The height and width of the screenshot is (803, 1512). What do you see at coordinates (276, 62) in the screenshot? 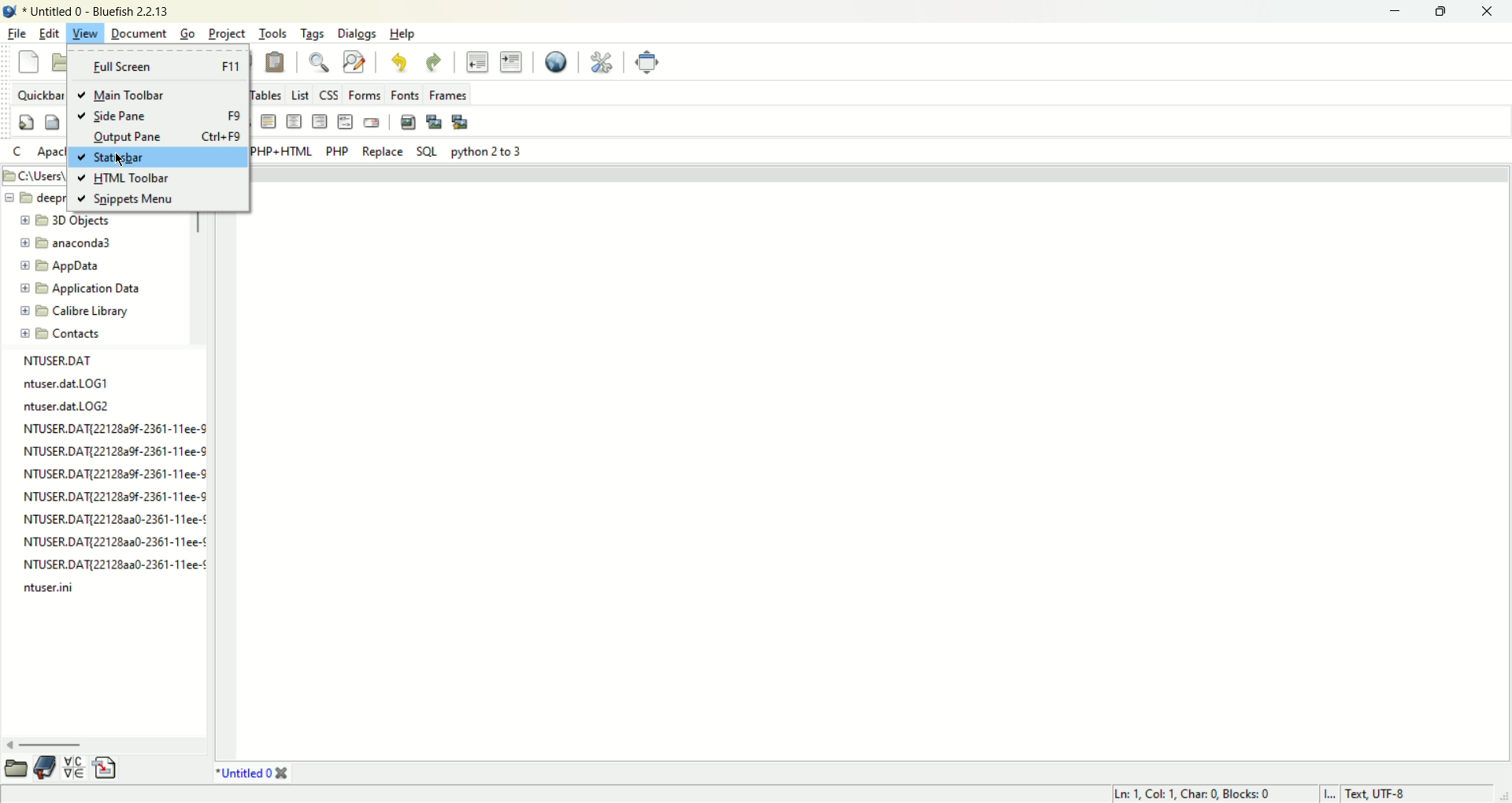
I see `paste` at bounding box center [276, 62].